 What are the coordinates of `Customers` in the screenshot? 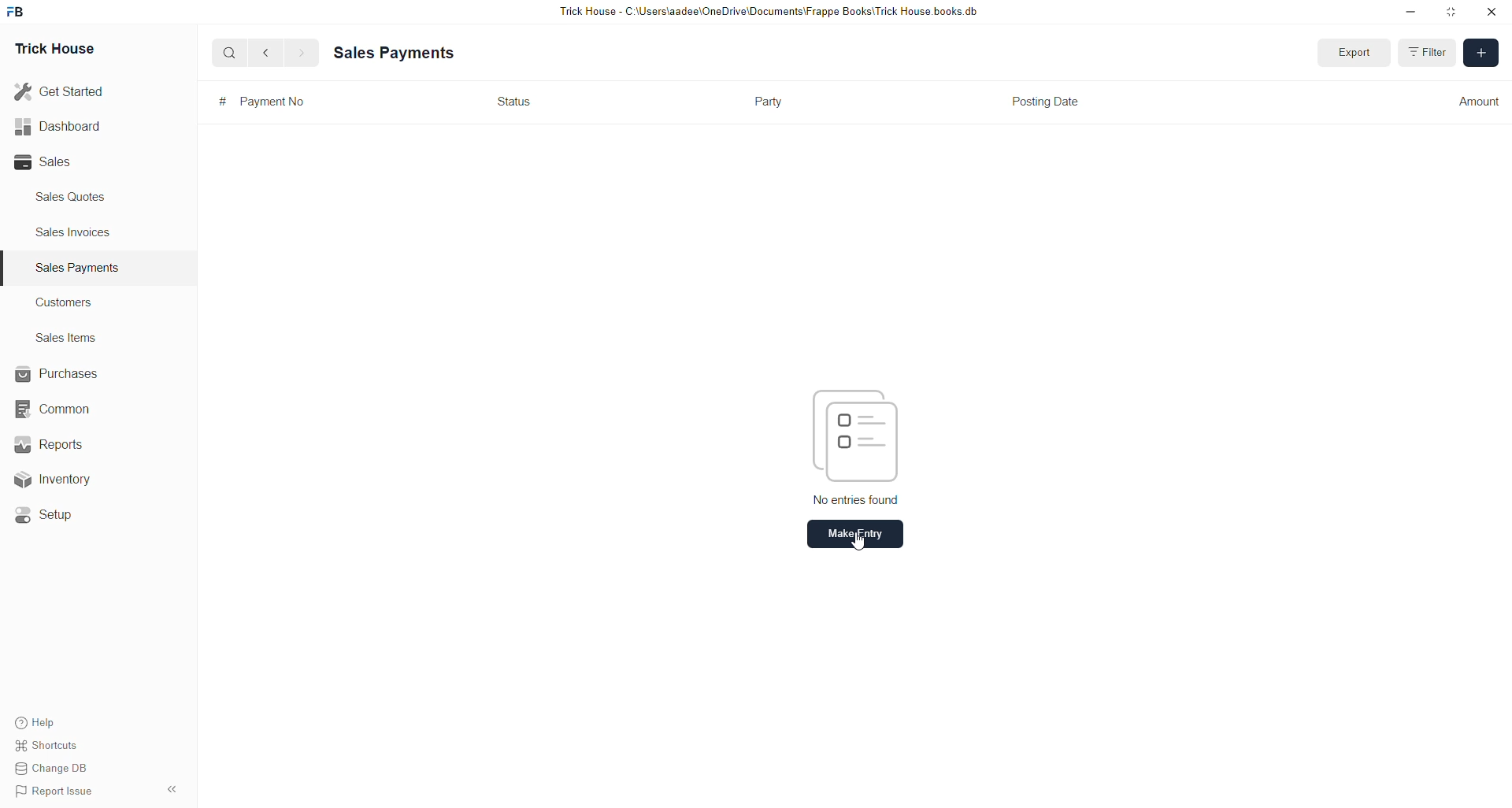 It's located at (69, 302).